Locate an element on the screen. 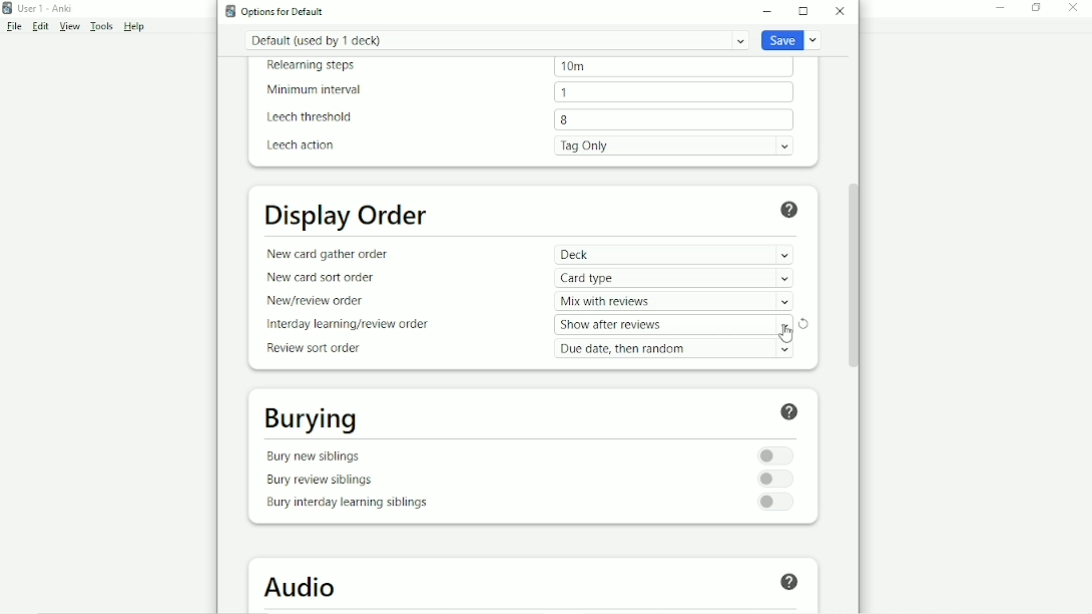 The height and width of the screenshot is (614, 1092). Help is located at coordinates (790, 210).